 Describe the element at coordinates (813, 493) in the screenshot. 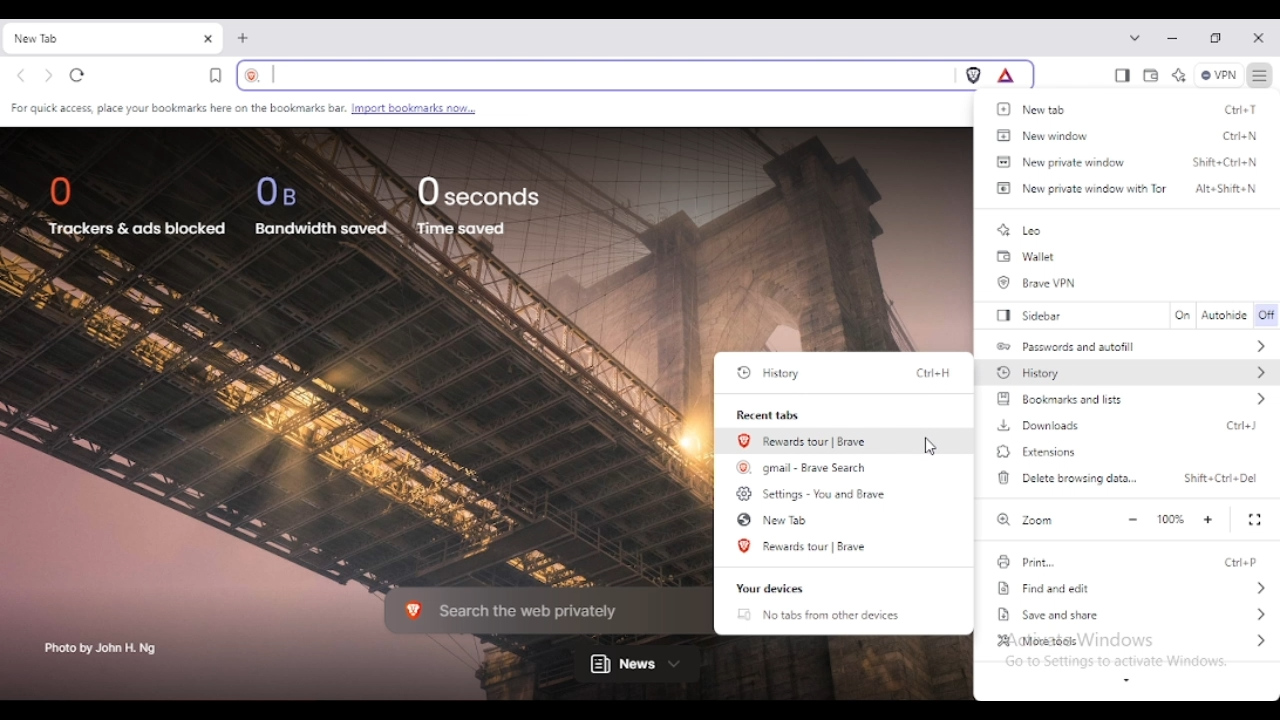

I see `settings - you and brave` at that location.